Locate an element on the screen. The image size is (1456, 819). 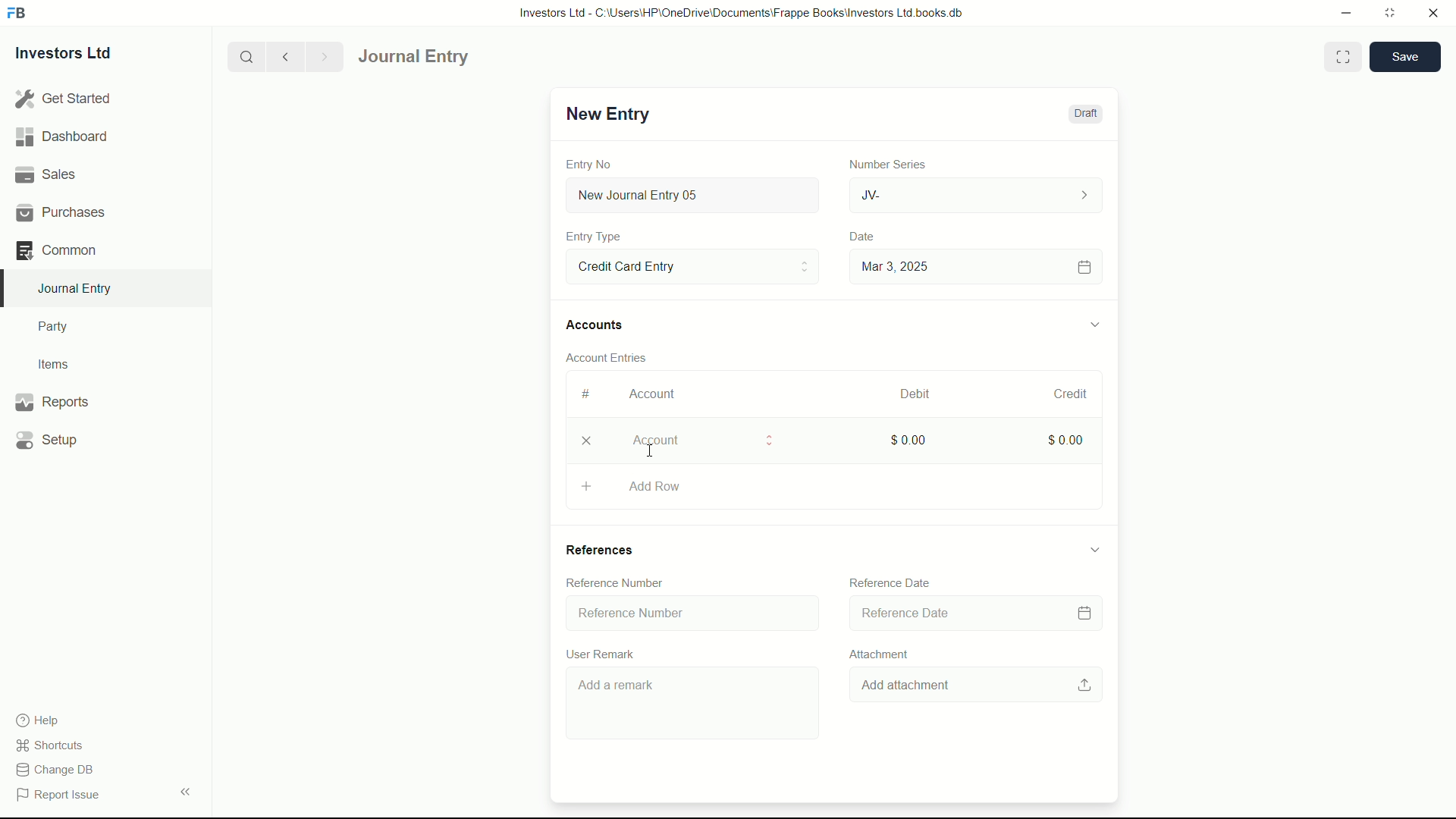
expand/collapse is located at coordinates (1094, 322).